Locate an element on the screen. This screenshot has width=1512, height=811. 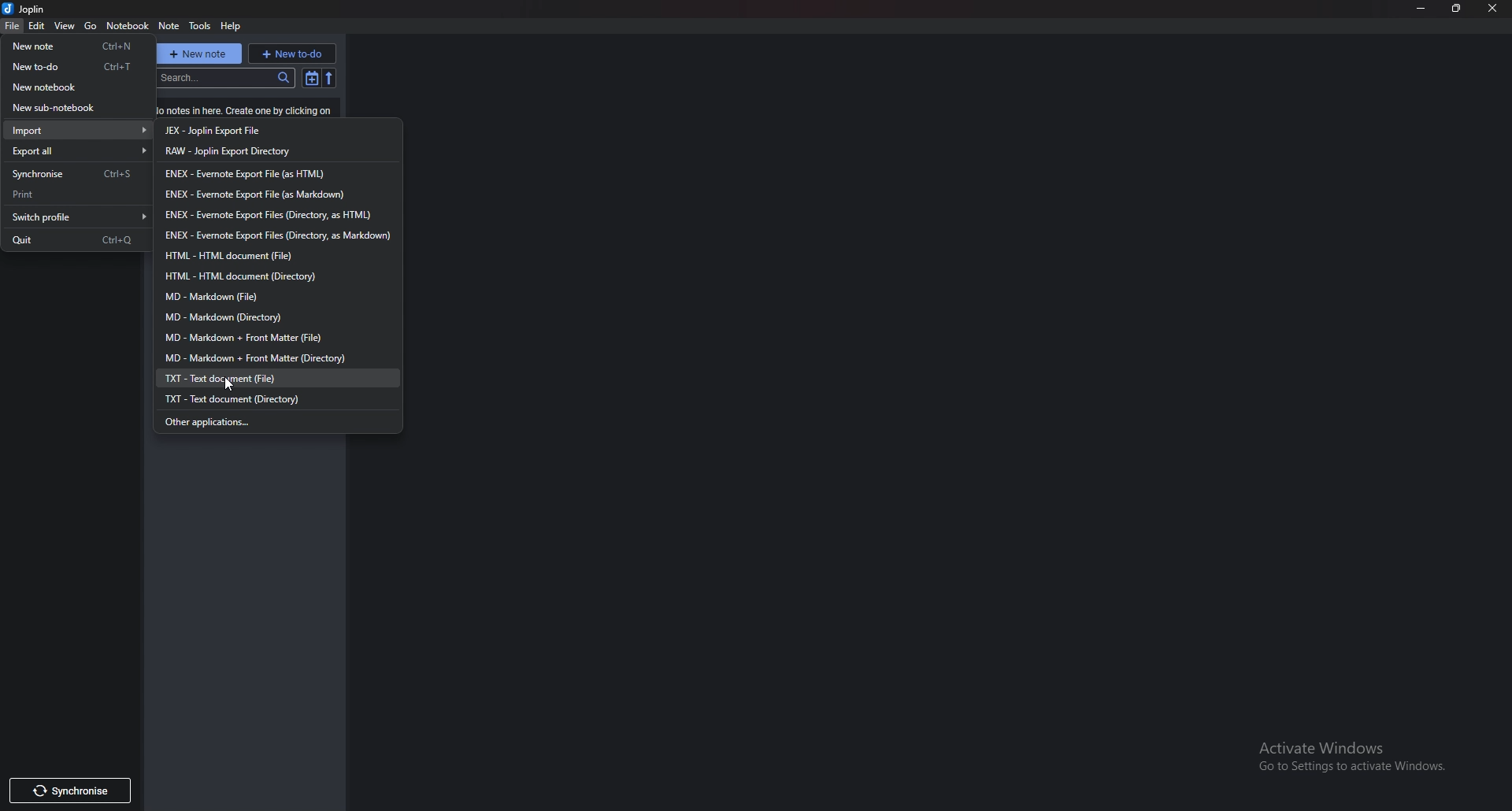
New note is located at coordinates (200, 54).